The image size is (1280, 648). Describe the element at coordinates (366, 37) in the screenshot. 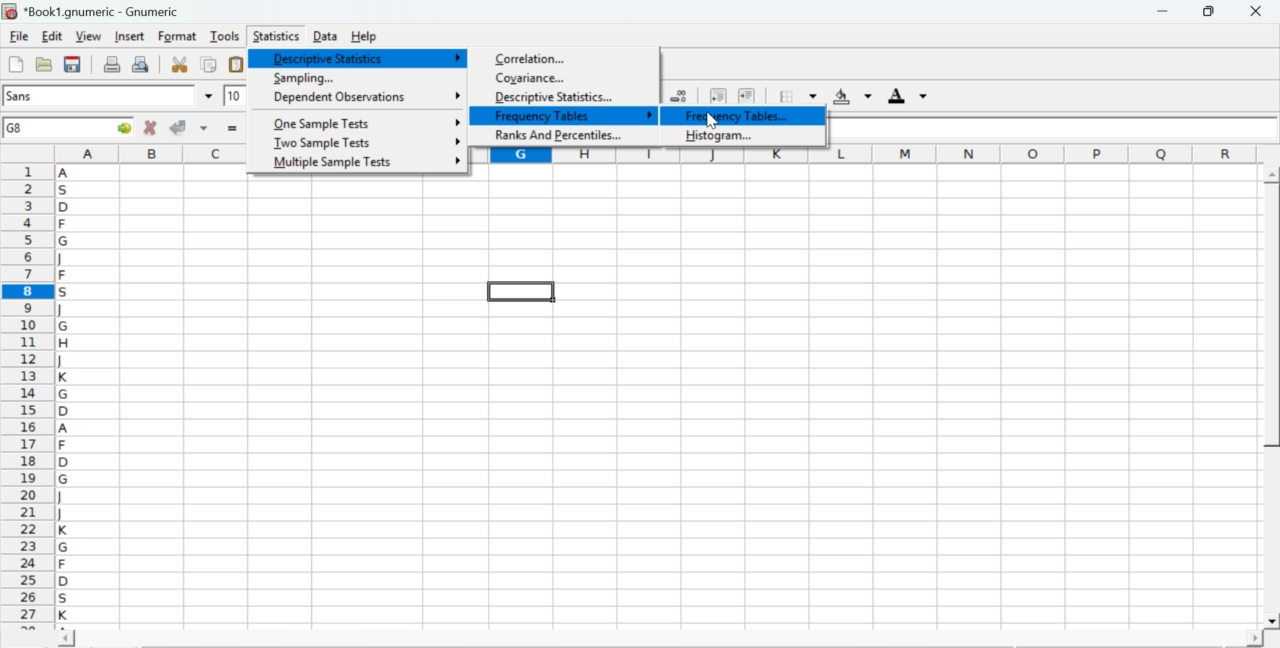

I see `help` at that location.